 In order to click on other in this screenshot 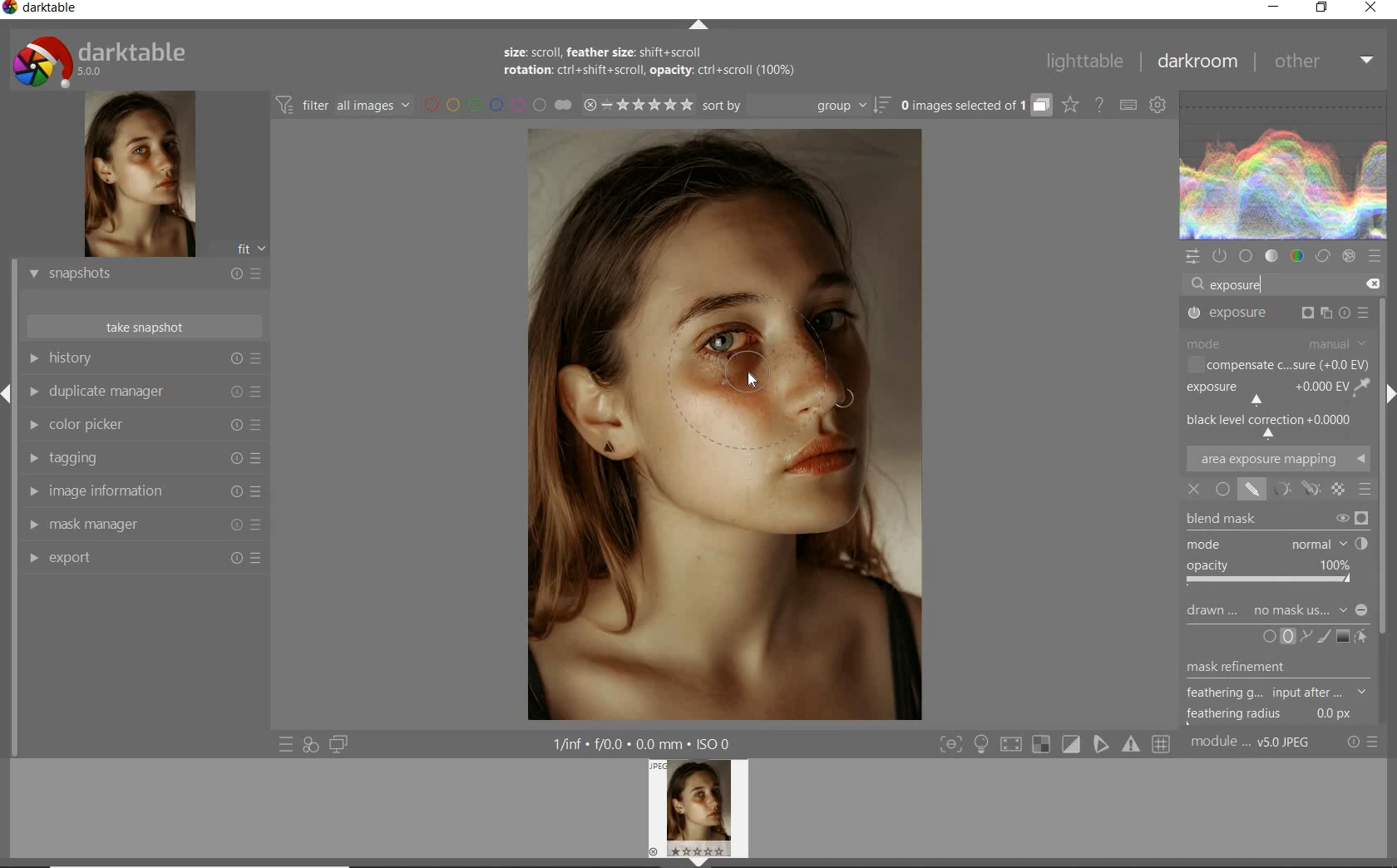, I will do `click(1320, 62)`.